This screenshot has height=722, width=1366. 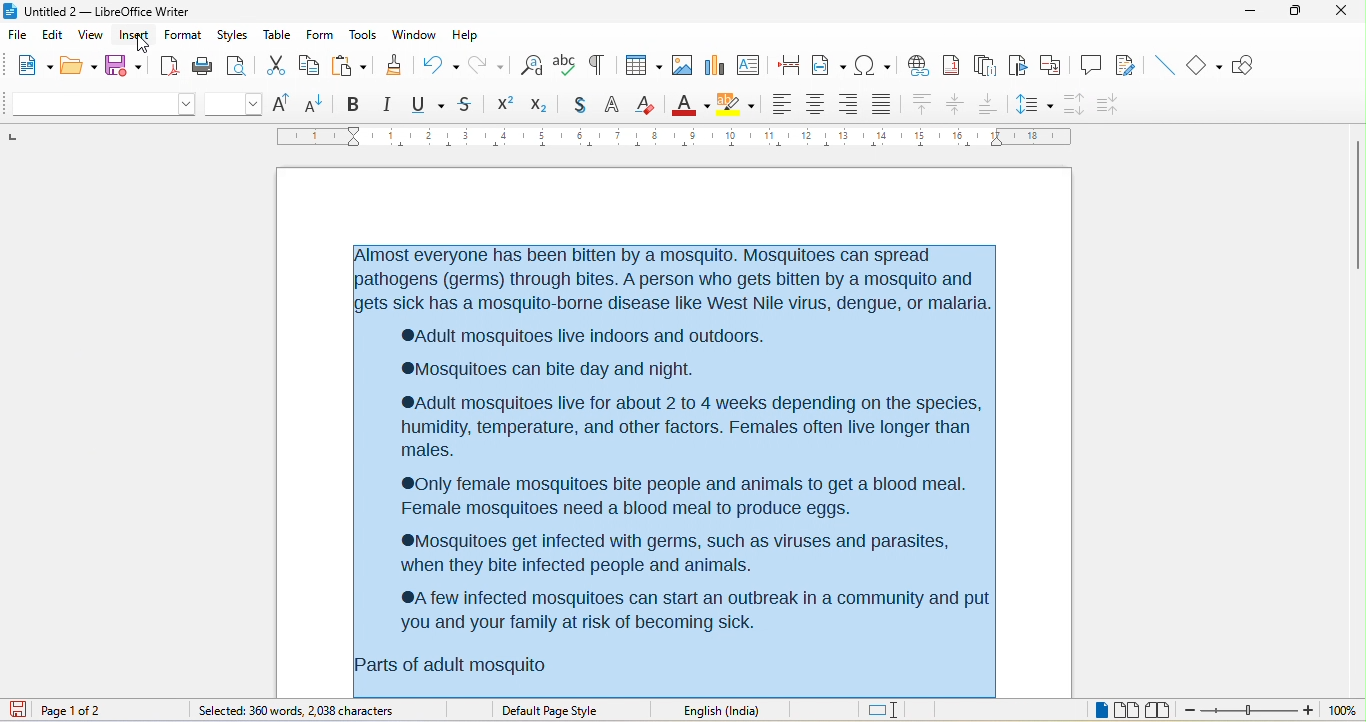 I want to click on standard selection, so click(x=890, y=710).